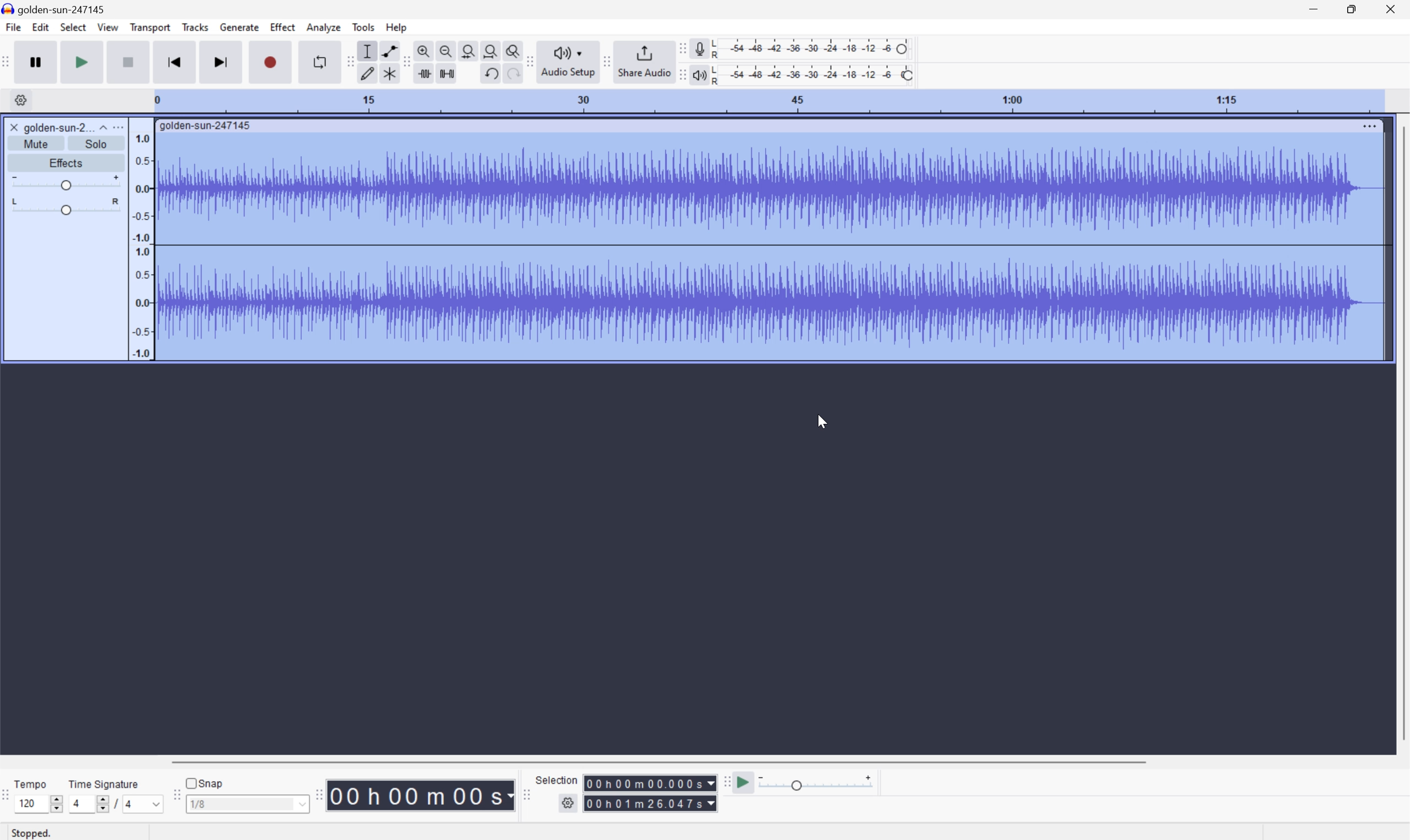  What do you see at coordinates (141, 246) in the screenshot?
I see `Frequencies` at bounding box center [141, 246].